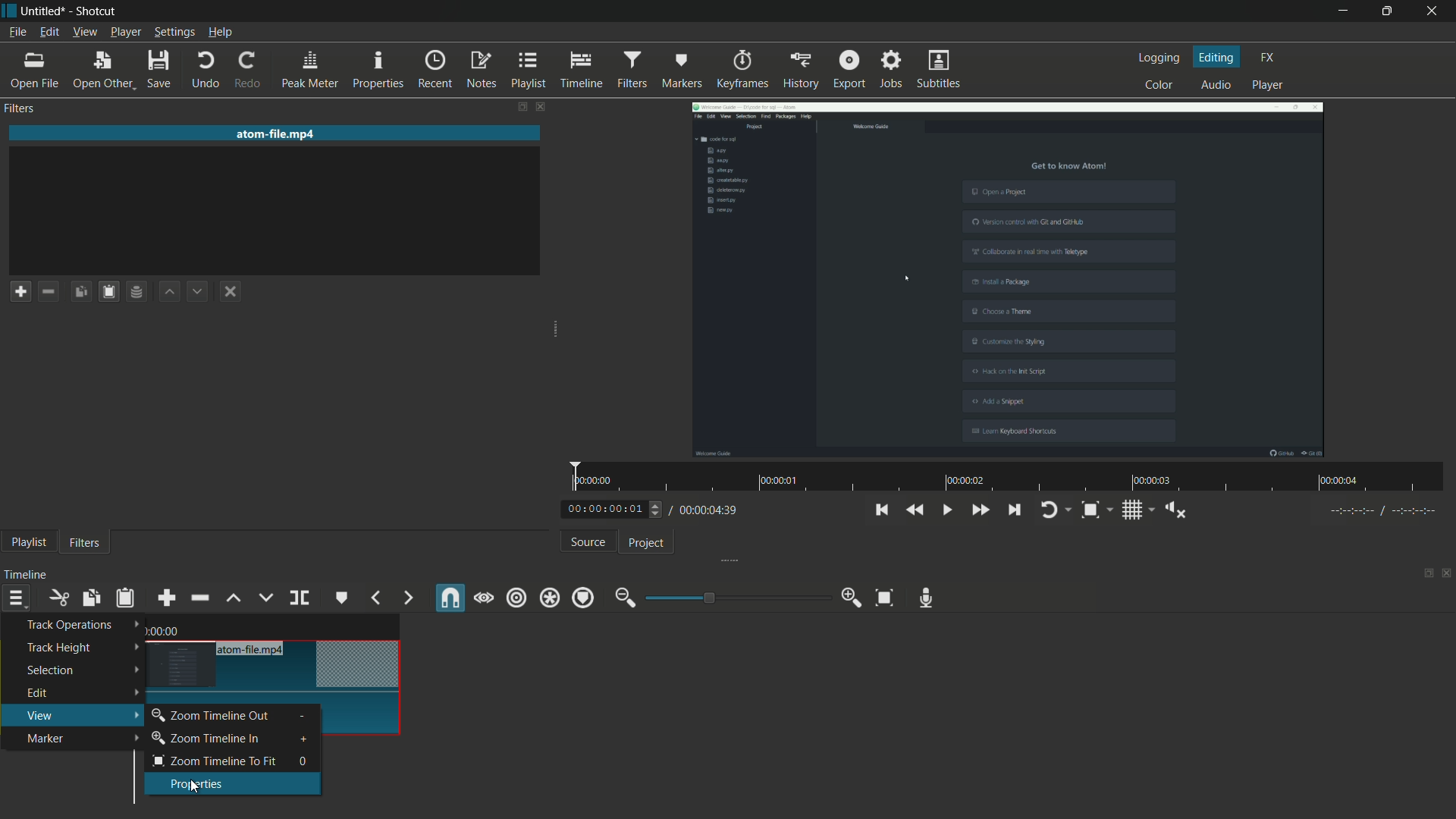 This screenshot has width=1456, height=819. I want to click on audio, so click(1218, 84).